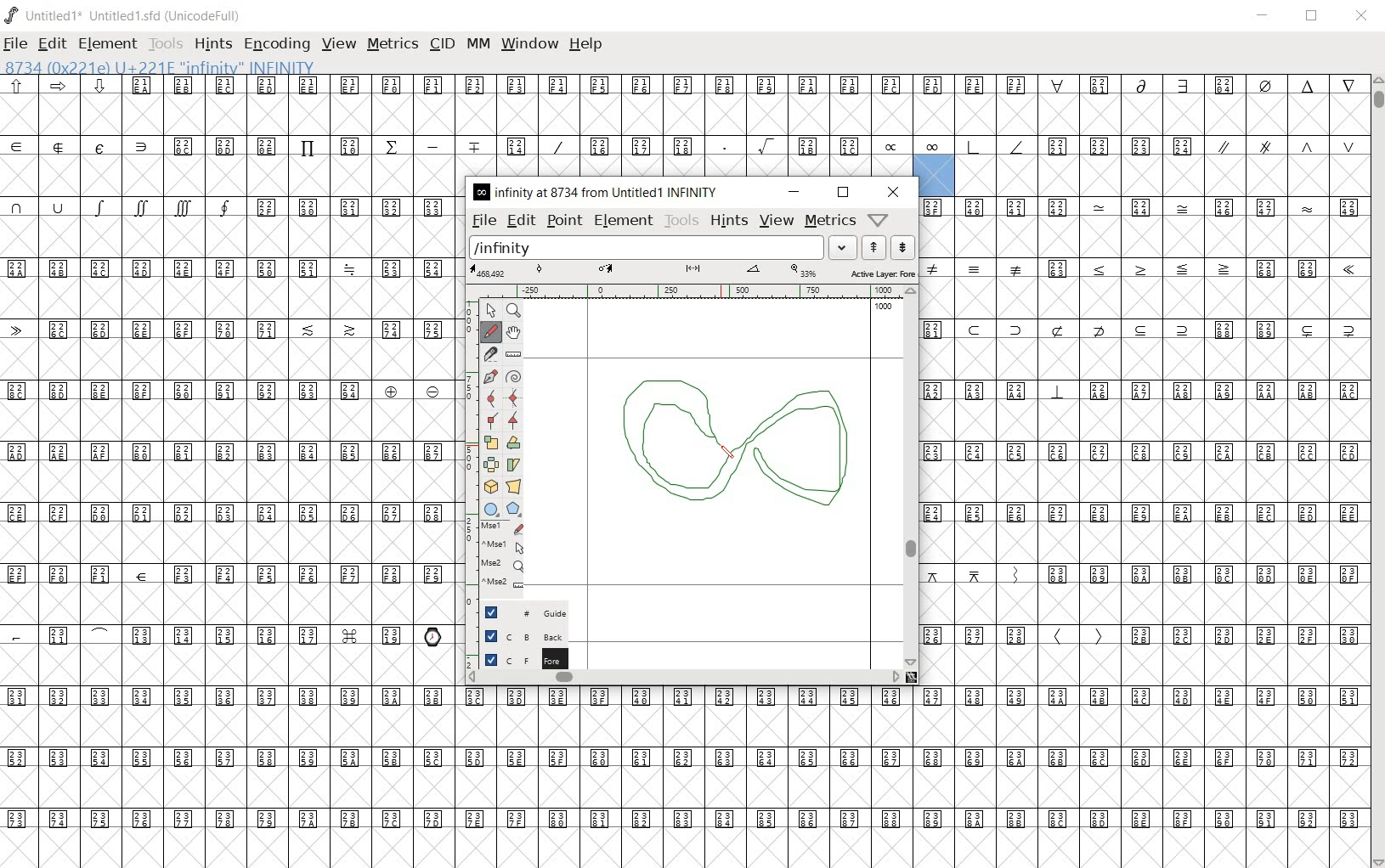  What do you see at coordinates (1165, 269) in the screenshot?
I see `symbols` at bounding box center [1165, 269].